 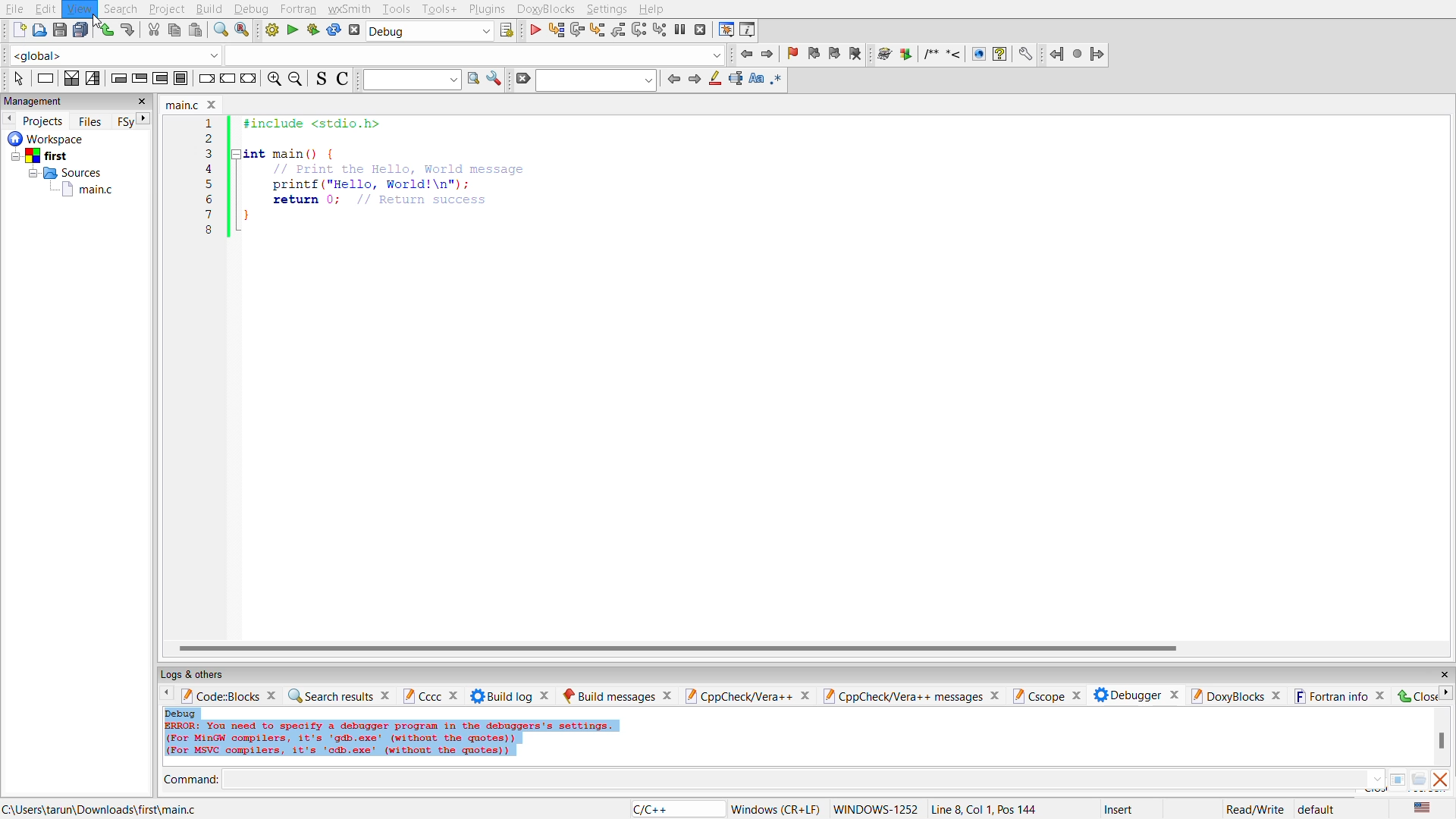 What do you see at coordinates (194, 33) in the screenshot?
I see `paste` at bounding box center [194, 33].